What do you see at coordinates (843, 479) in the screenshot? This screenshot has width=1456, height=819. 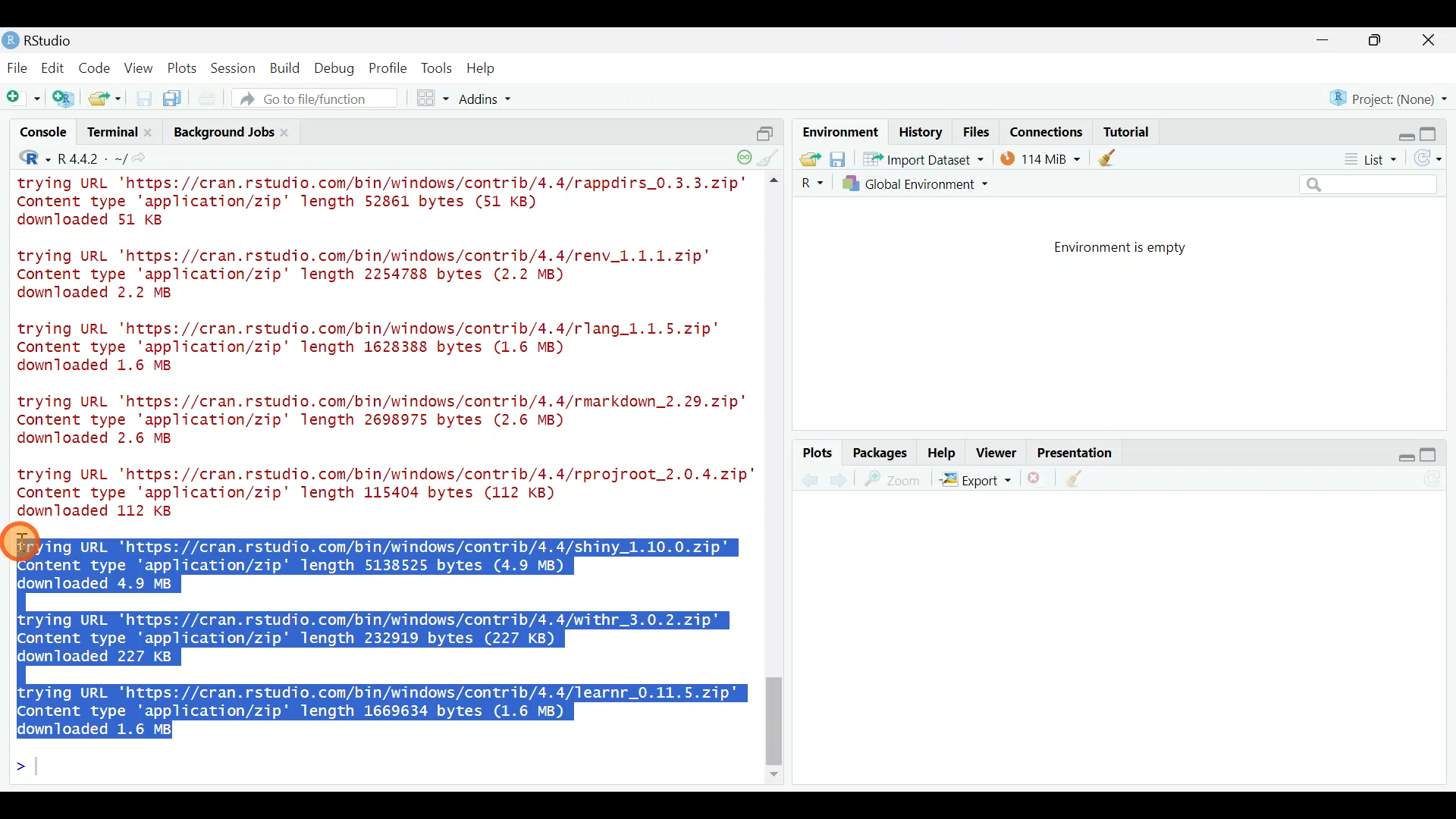 I see `previous plot` at bounding box center [843, 479].